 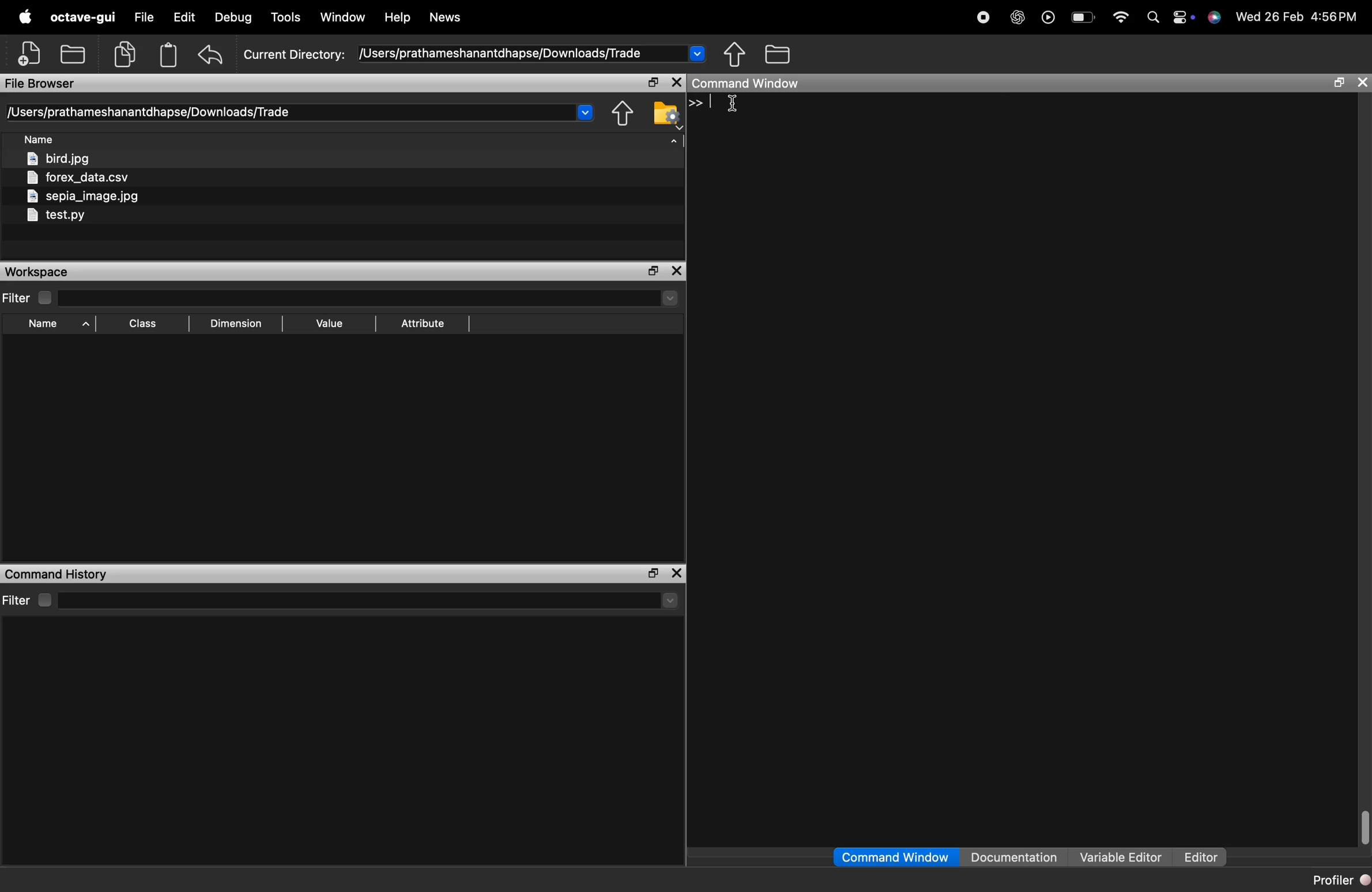 What do you see at coordinates (654, 574) in the screenshot?
I see `separate the window` at bounding box center [654, 574].